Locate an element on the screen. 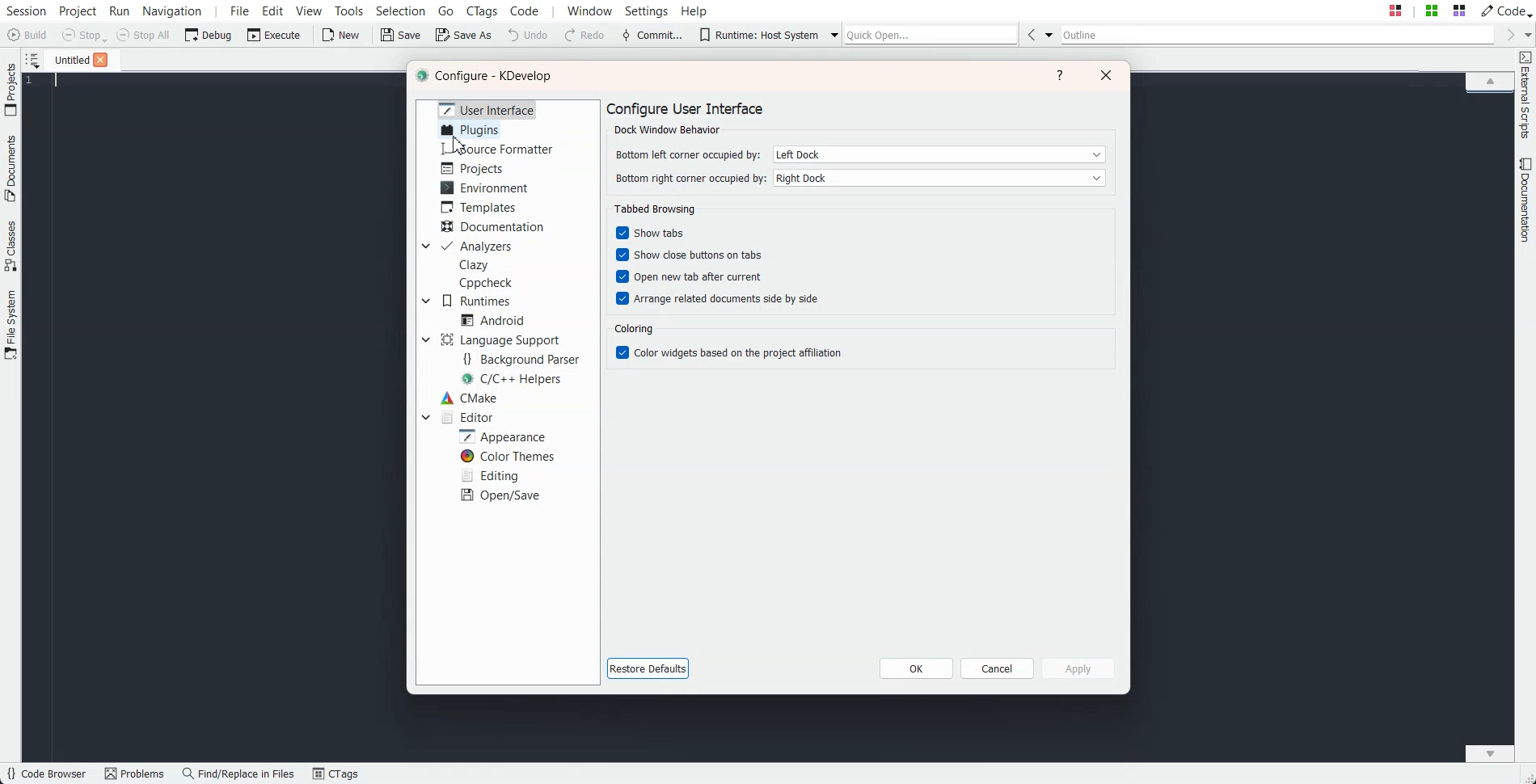 This screenshot has height=784, width=1536. File System is located at coordinates (11, 327).